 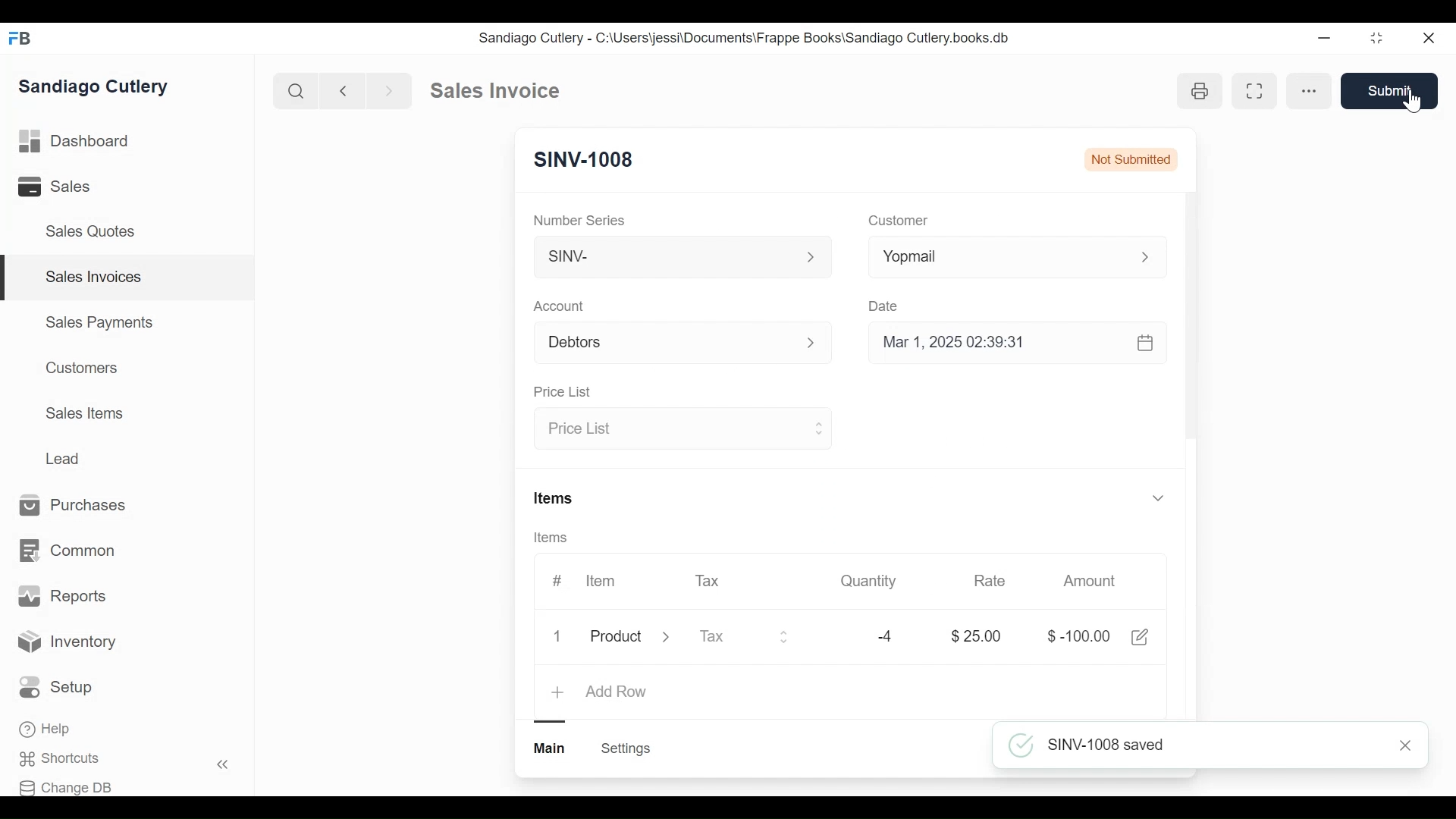 What do you see at coordinates (883, 306) in the screenshot?
I see `Date` at bounding box center [883, 306].